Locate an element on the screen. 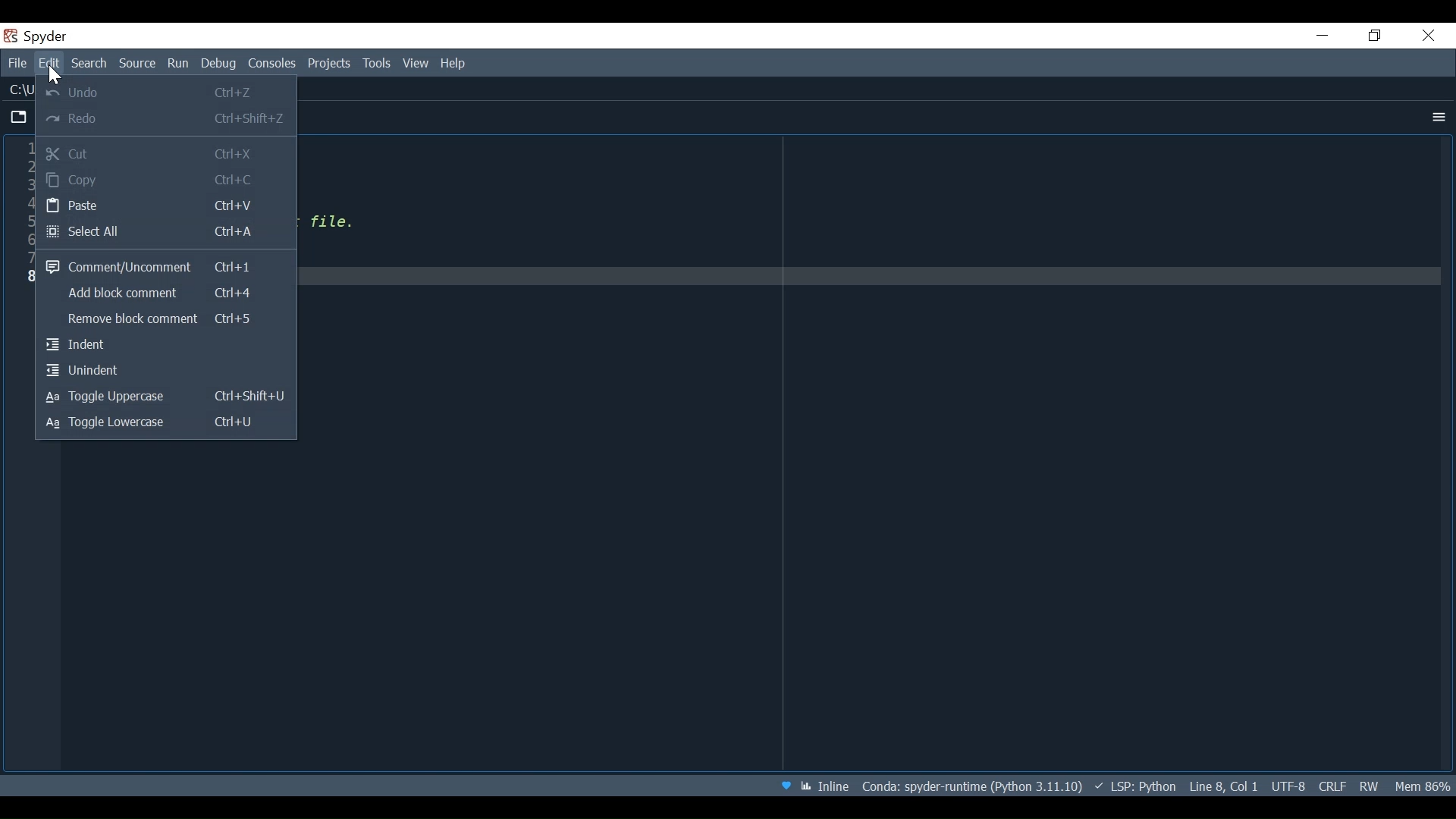 This screenshot has height=819, width=1456. Cursor is located at coordinates (56, 76).